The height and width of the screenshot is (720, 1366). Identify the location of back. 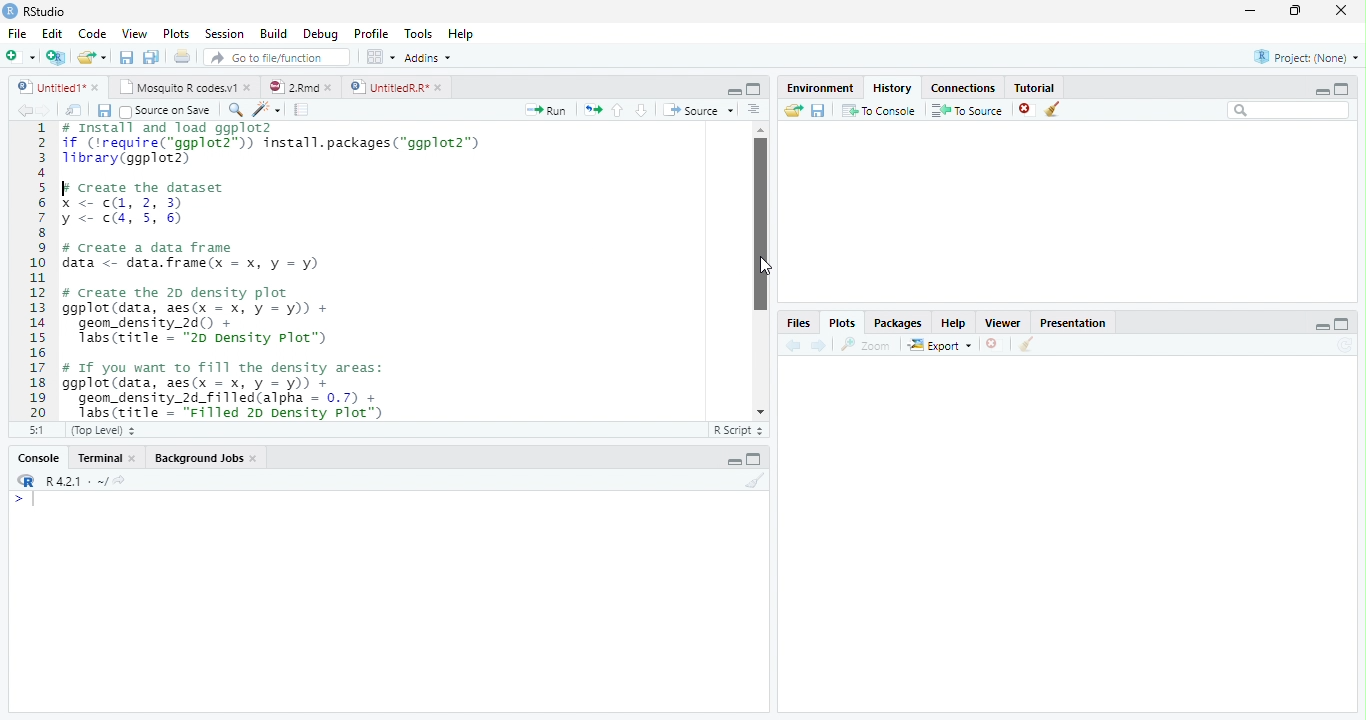
(790, 345).